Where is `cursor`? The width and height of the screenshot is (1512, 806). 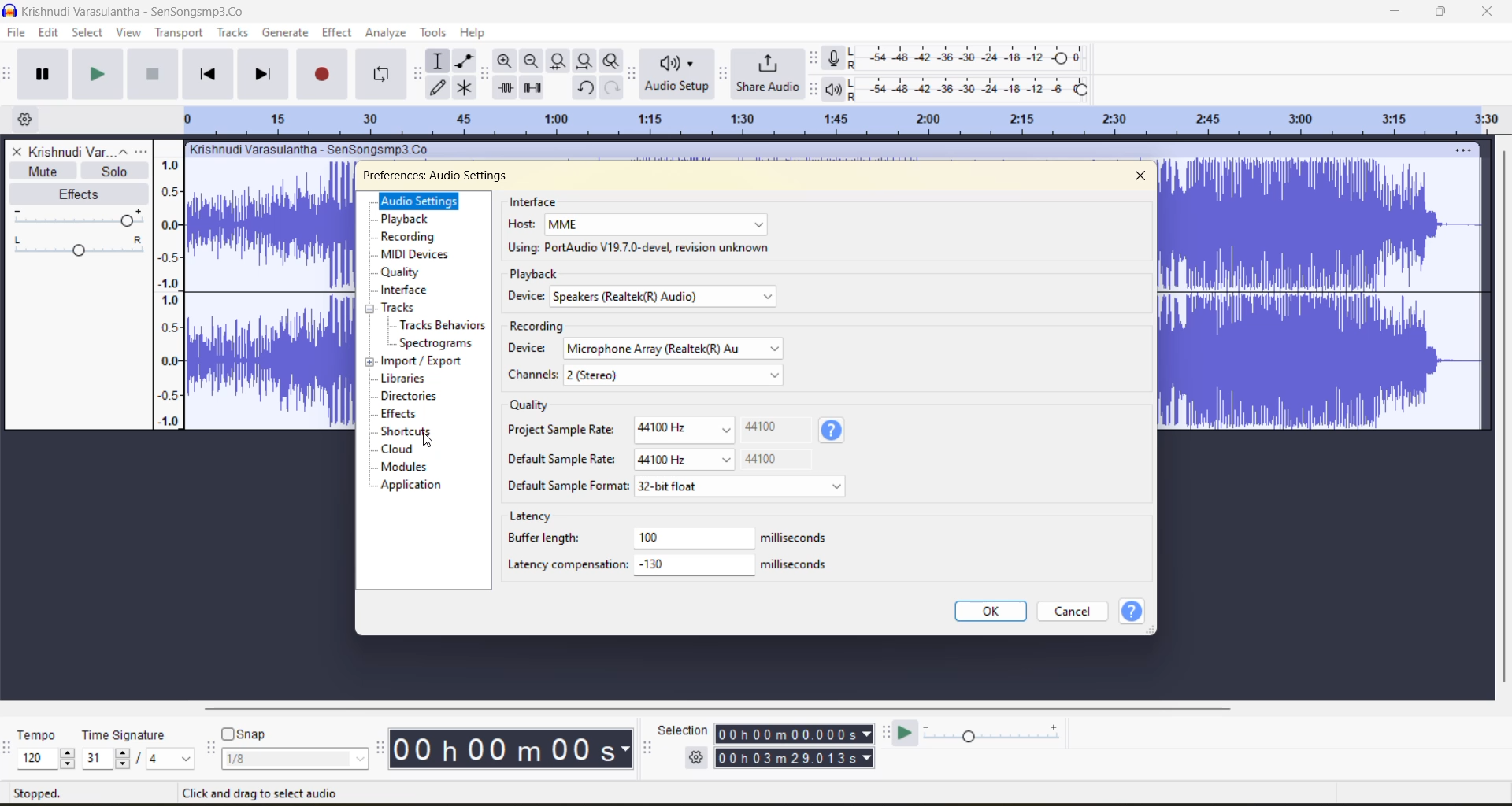
cursor is located at coordinates (428, 438).